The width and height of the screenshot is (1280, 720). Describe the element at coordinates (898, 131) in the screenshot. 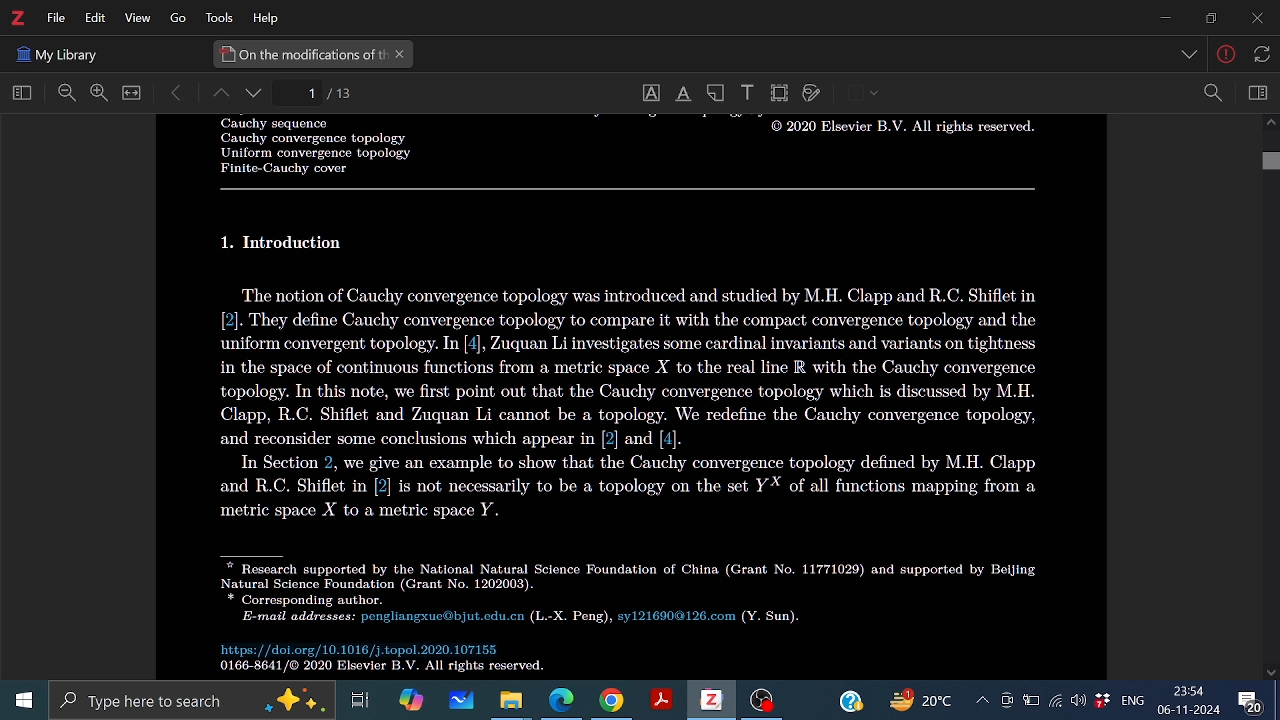

I see `` at that location.